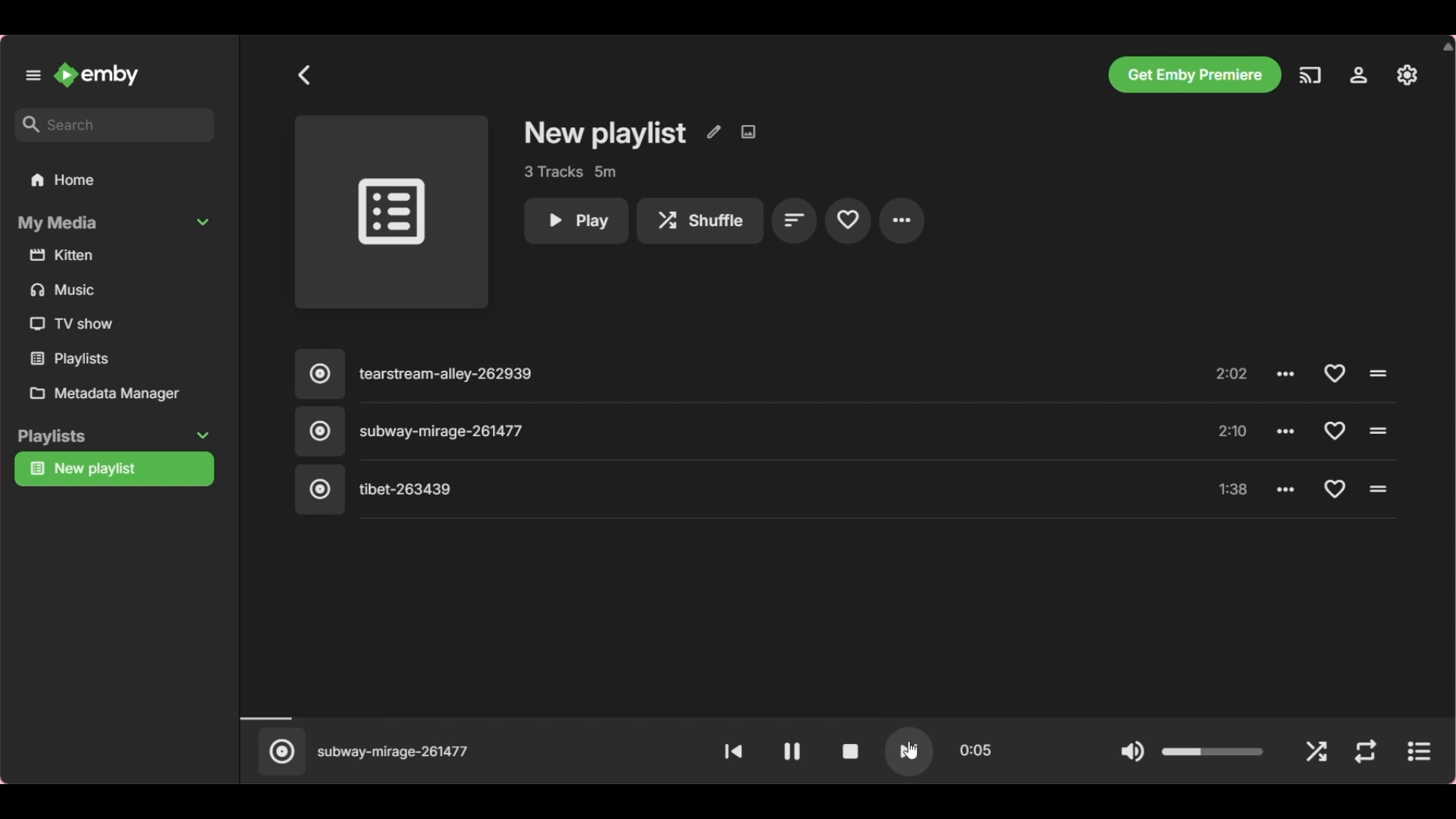  What do you see at coordinates (1418, 751) in the screenshot?
I see ` play current song separately` at bounding box center [1418, 751].